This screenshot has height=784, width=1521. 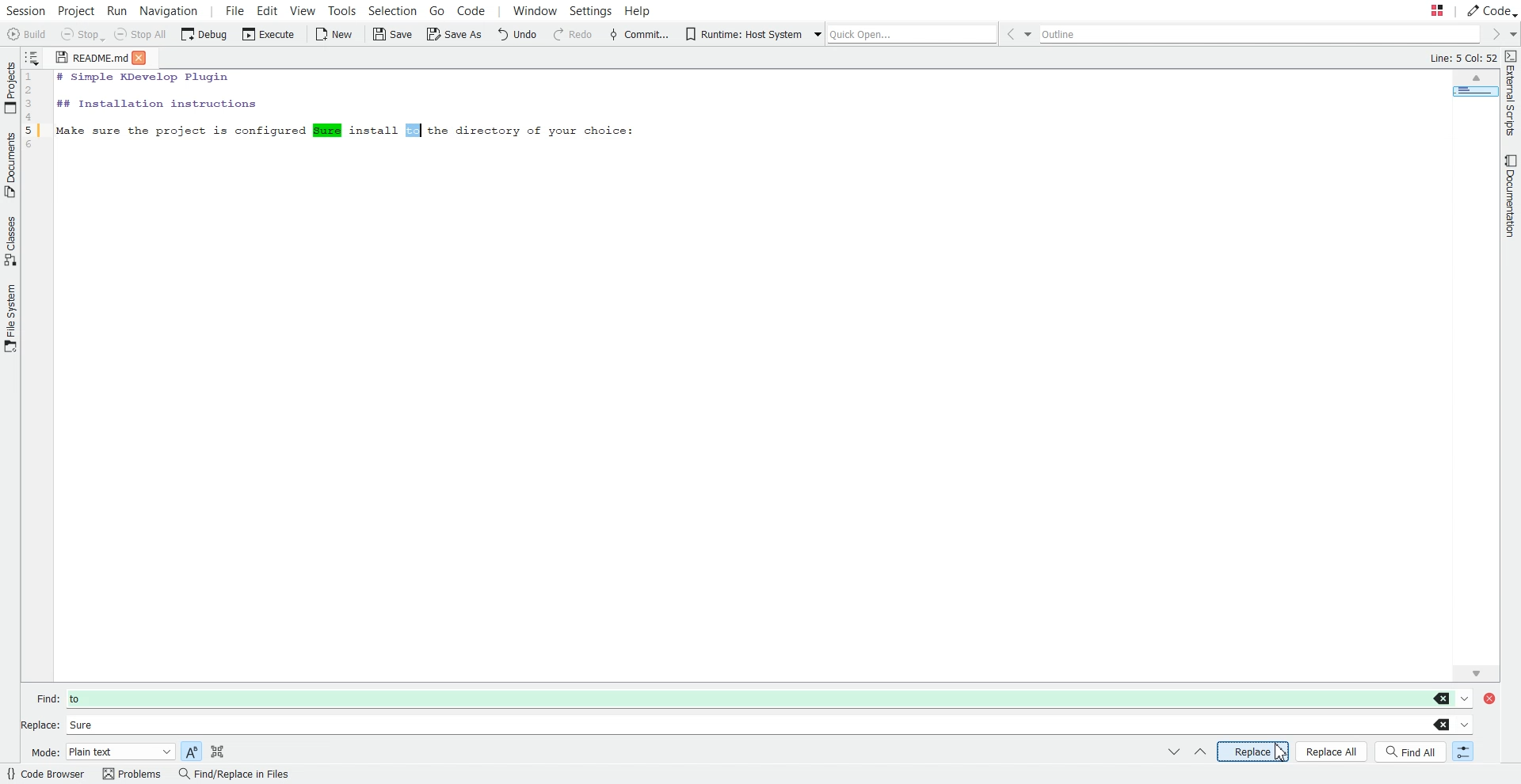 What do you see at coordinates (520, 35) in the screenshot?
I see `Undo` at bounding box center [520, 35].